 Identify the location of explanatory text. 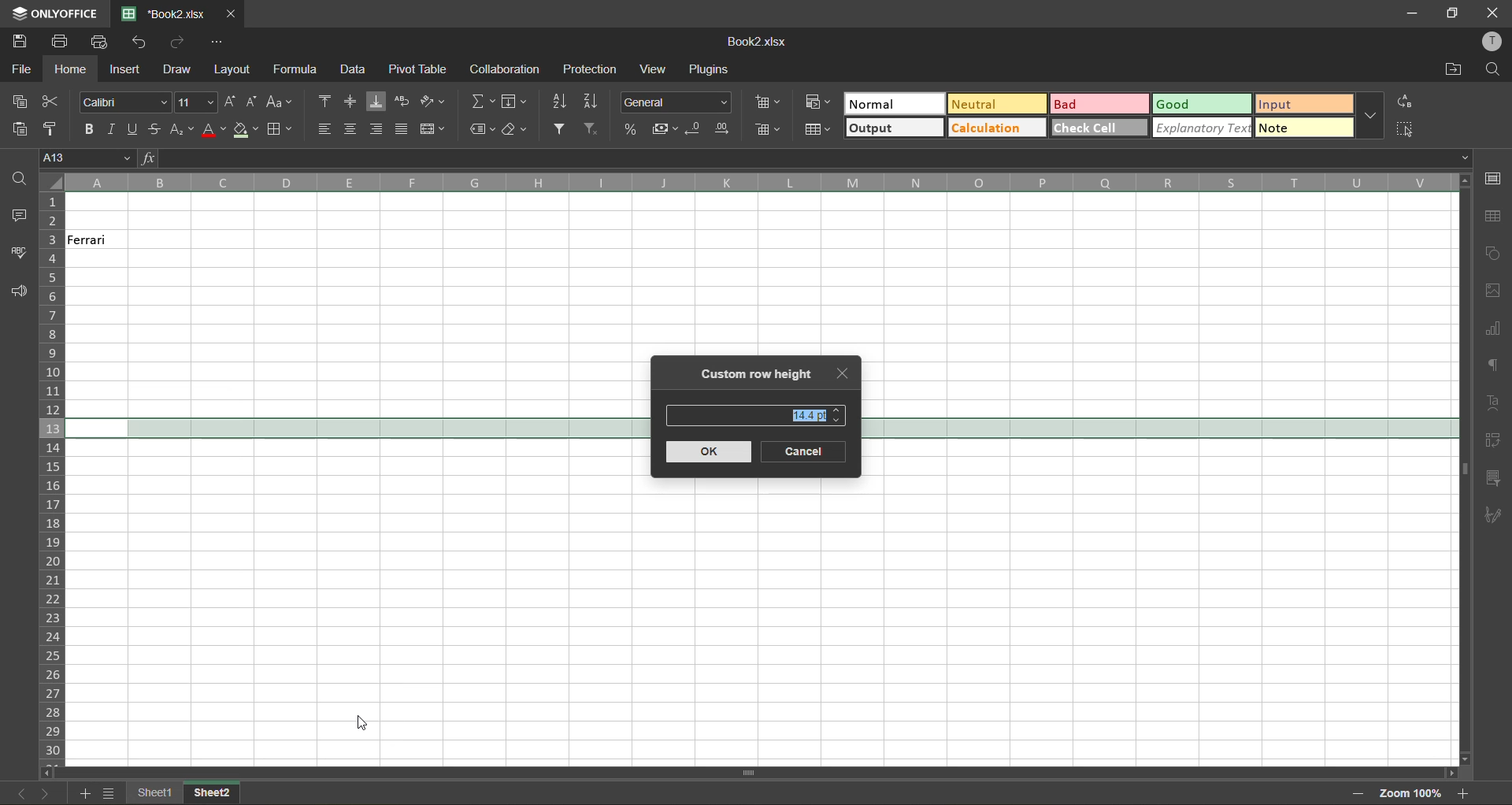
(1204, 127).